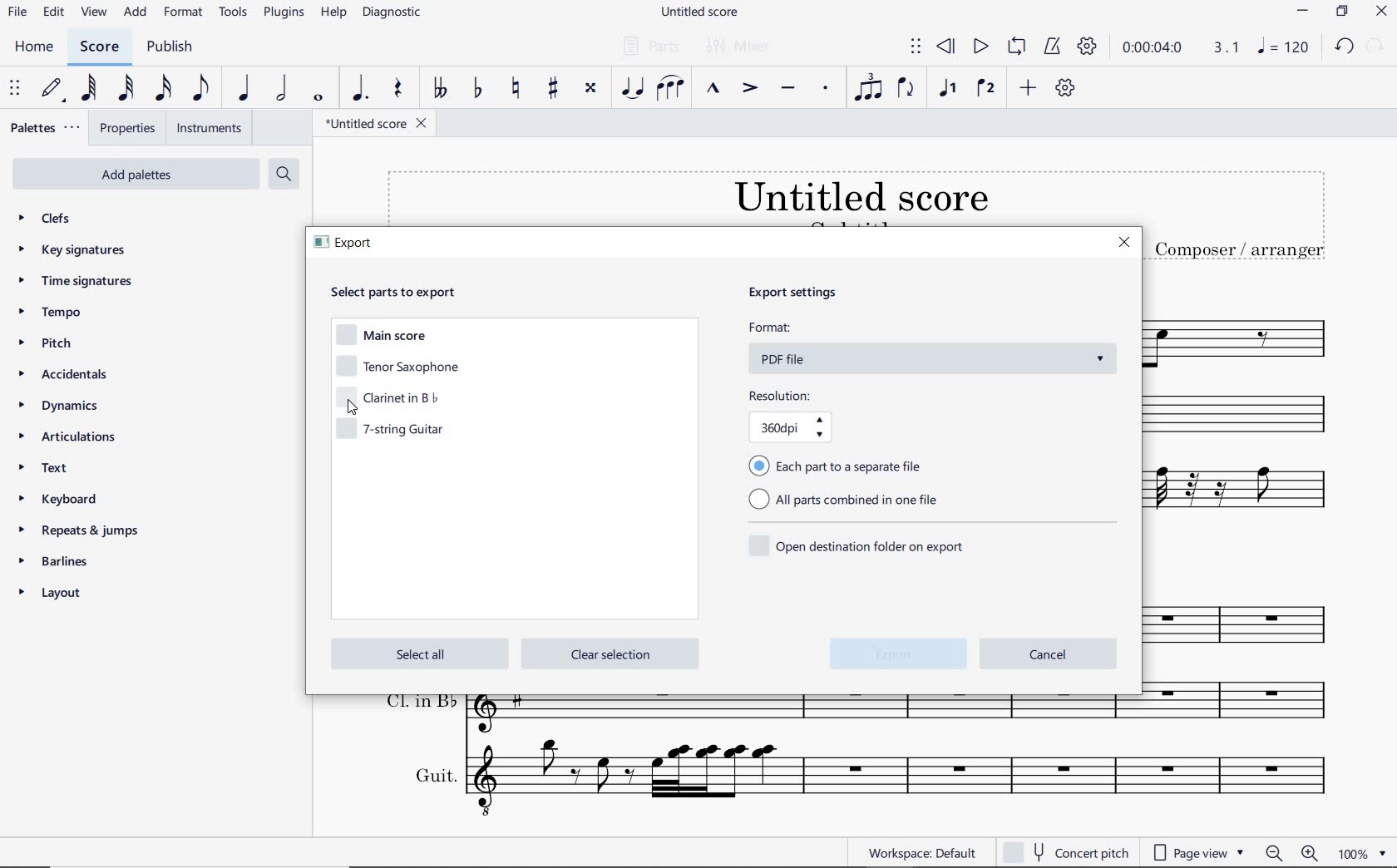 The width and height of the screenshot is (1397, 868). What do you see at coordinates (175, 47) in the screenshot?
I see `PUBLISH` at bounding box center [175, 47].